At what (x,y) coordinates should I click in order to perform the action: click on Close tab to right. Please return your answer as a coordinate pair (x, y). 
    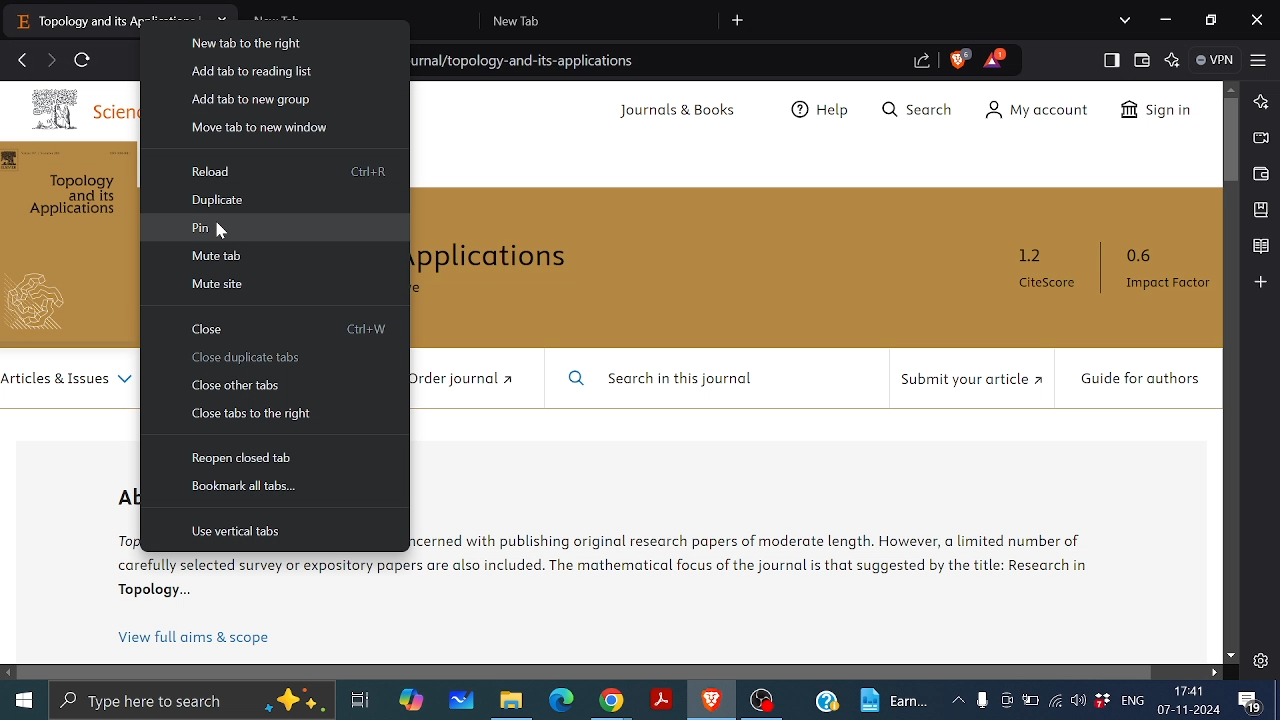
    Looking at the image, I should click on (254, 414).